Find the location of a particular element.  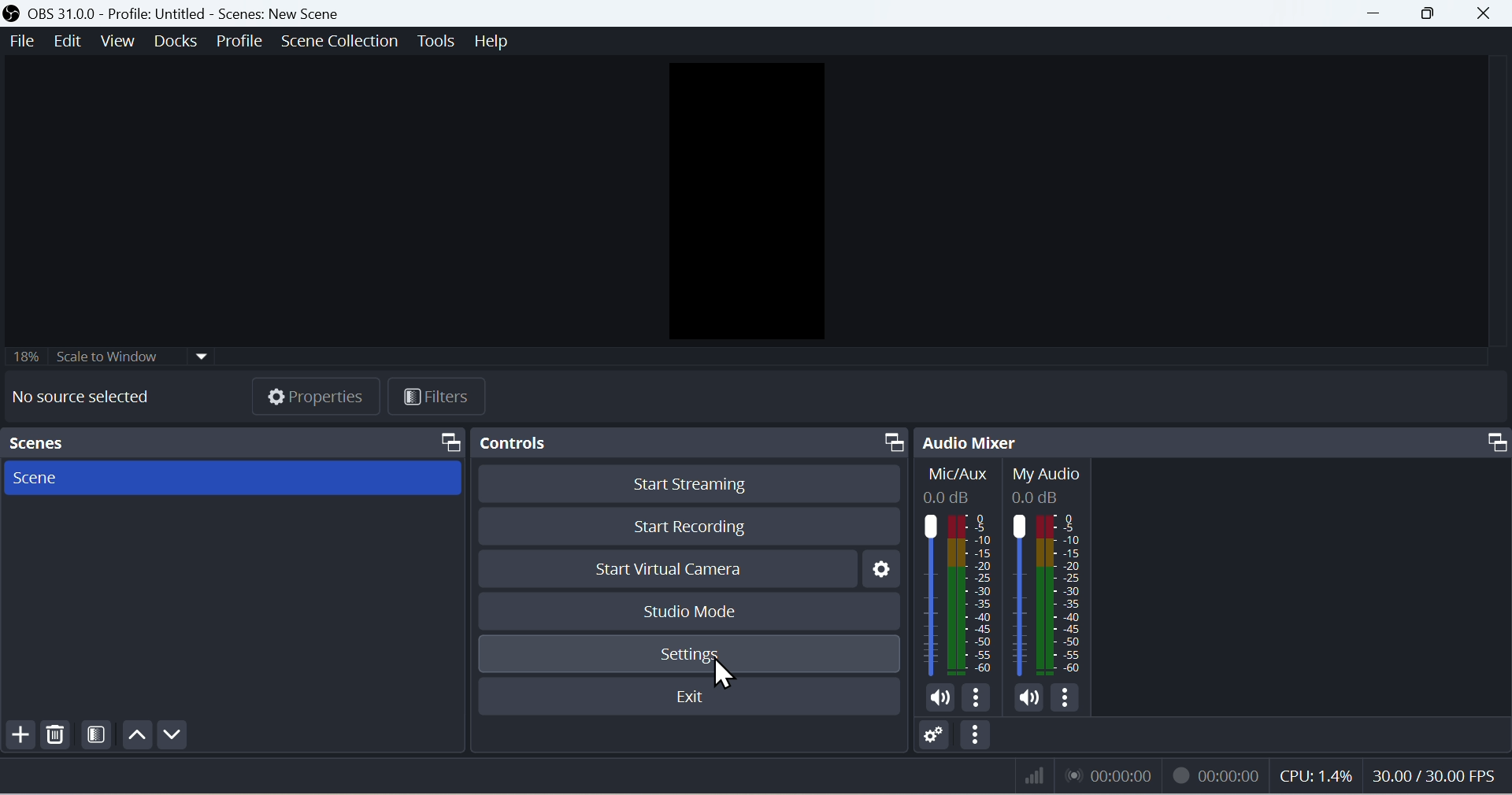

Properties is located at coordinates (319, 397).